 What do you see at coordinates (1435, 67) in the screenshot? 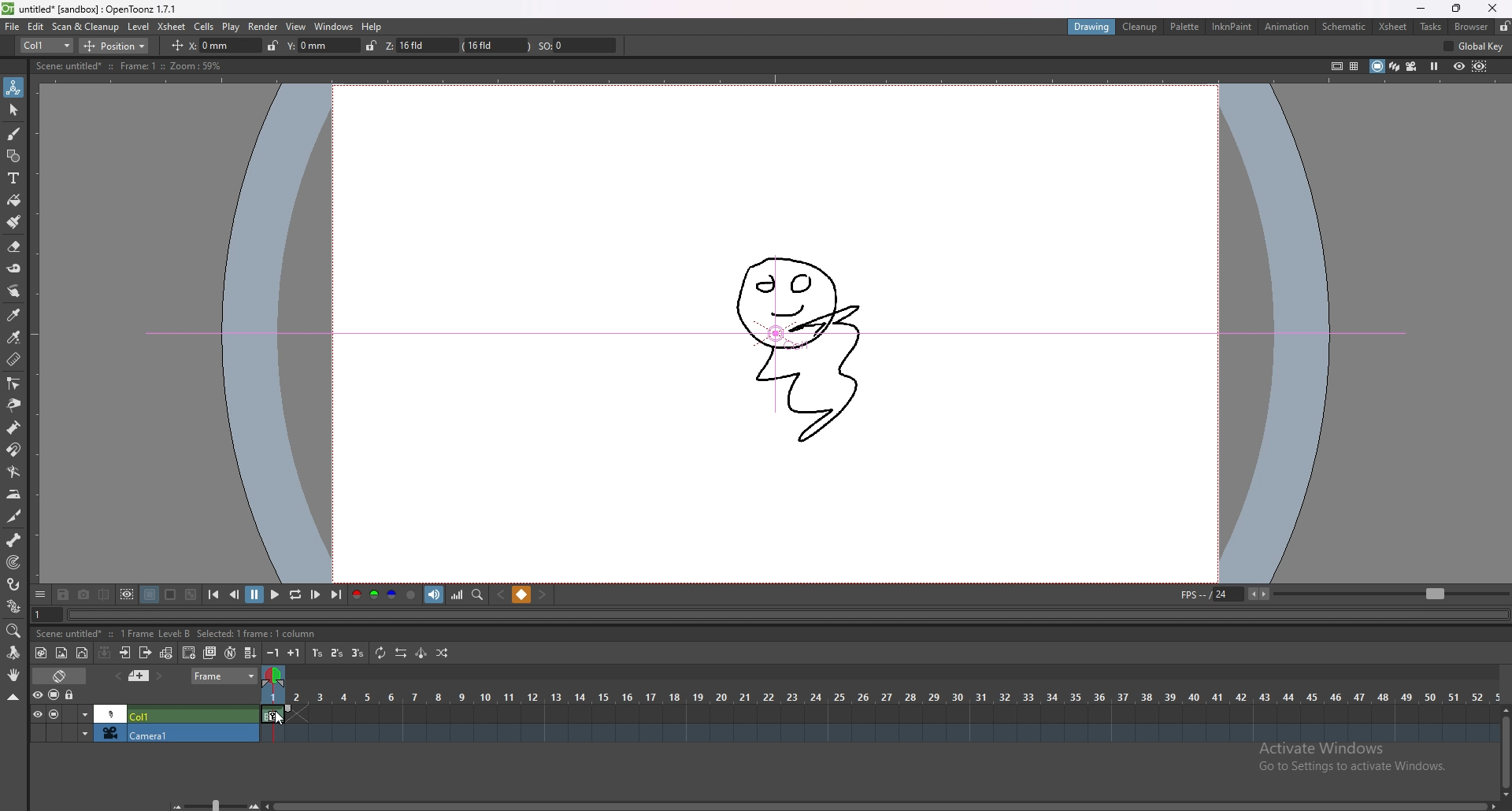
I see `freeze` at bounding box center [1435, 67].